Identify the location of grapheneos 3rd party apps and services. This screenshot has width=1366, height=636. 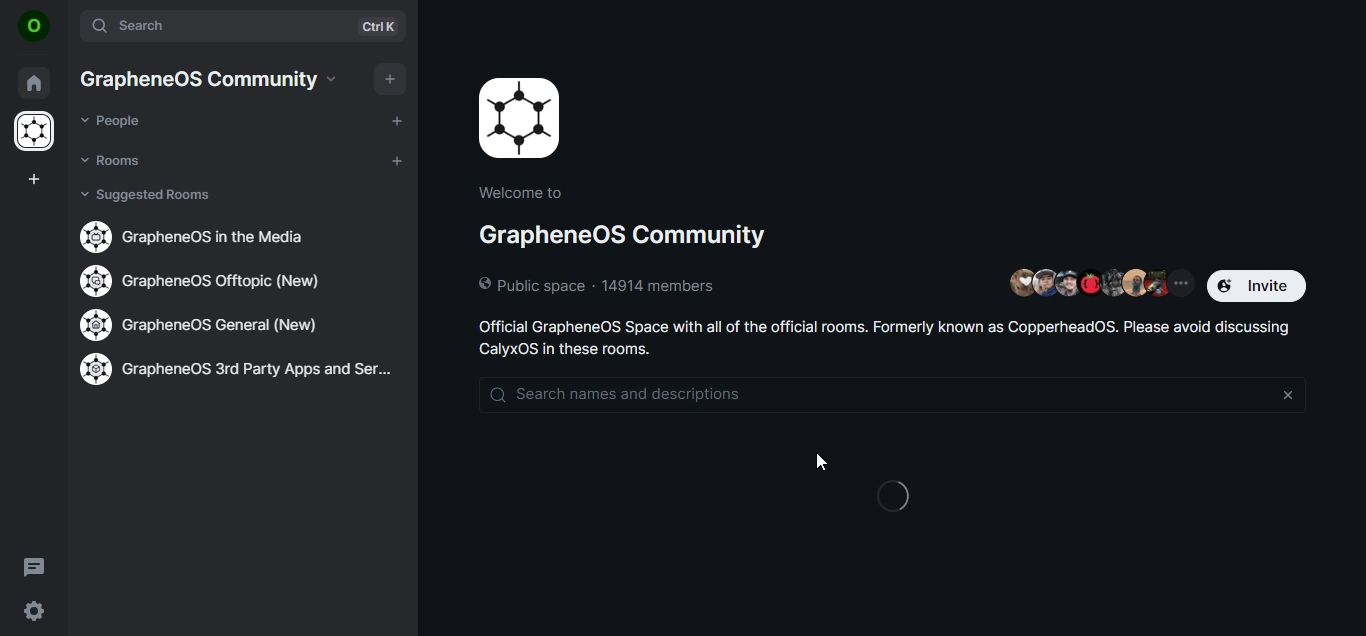
(235, 373).